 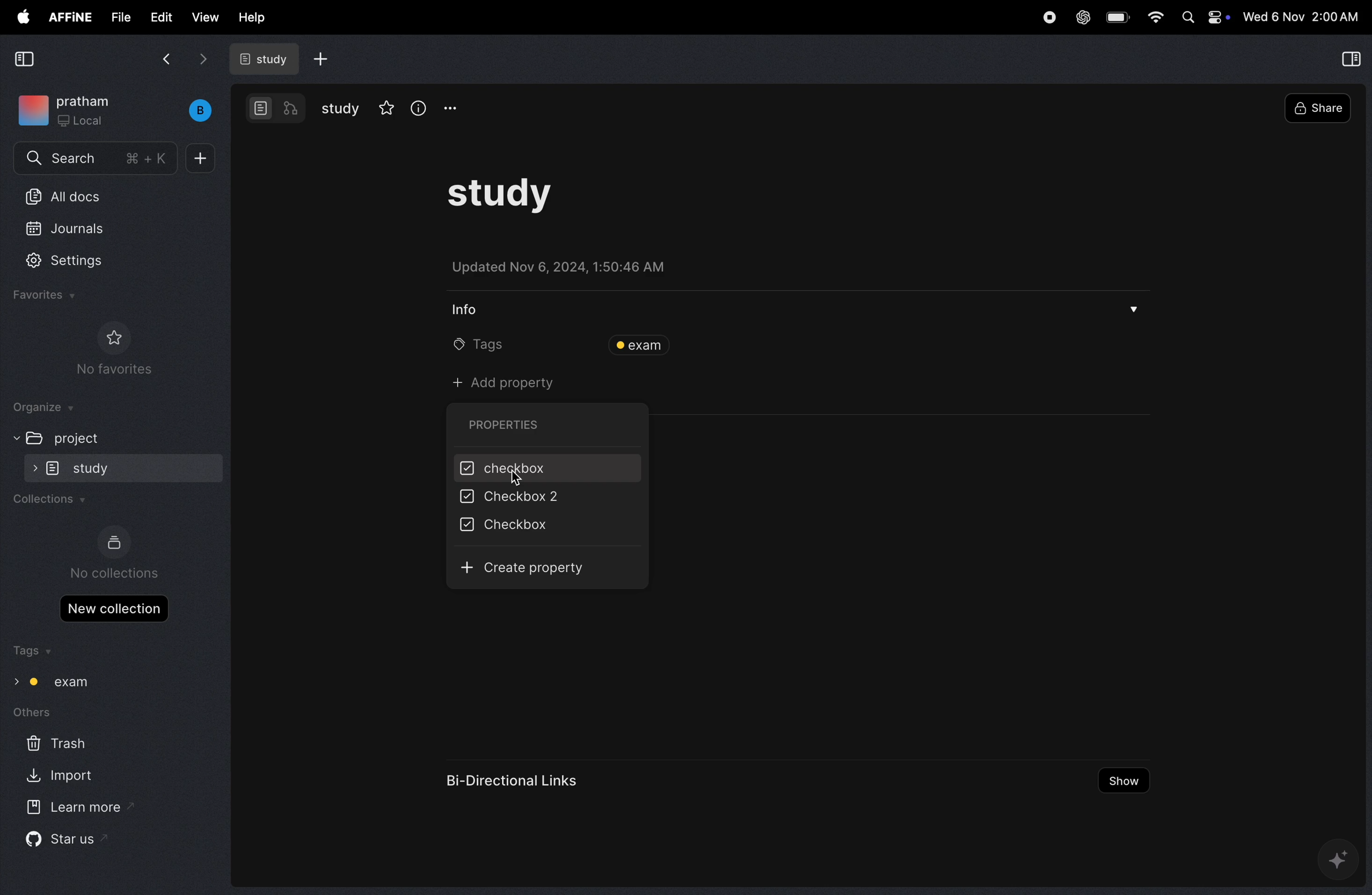 What do you see at coordinates (75, 844) in the screenshot?
I see `star us` at bounding box center [75, 844].